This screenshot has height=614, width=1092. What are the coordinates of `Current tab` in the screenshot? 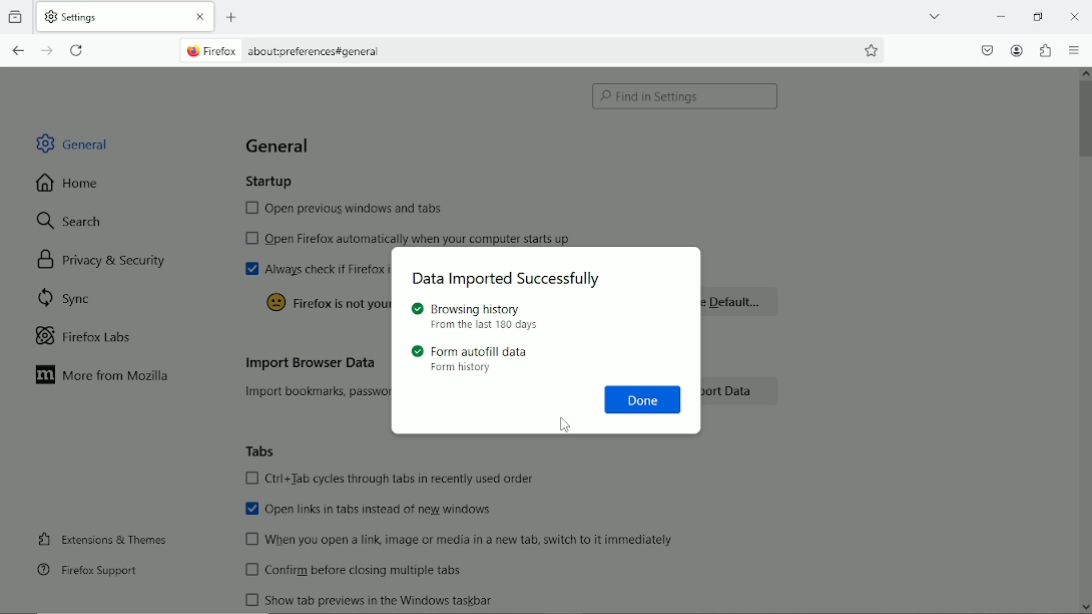 It's located at (124, 17).